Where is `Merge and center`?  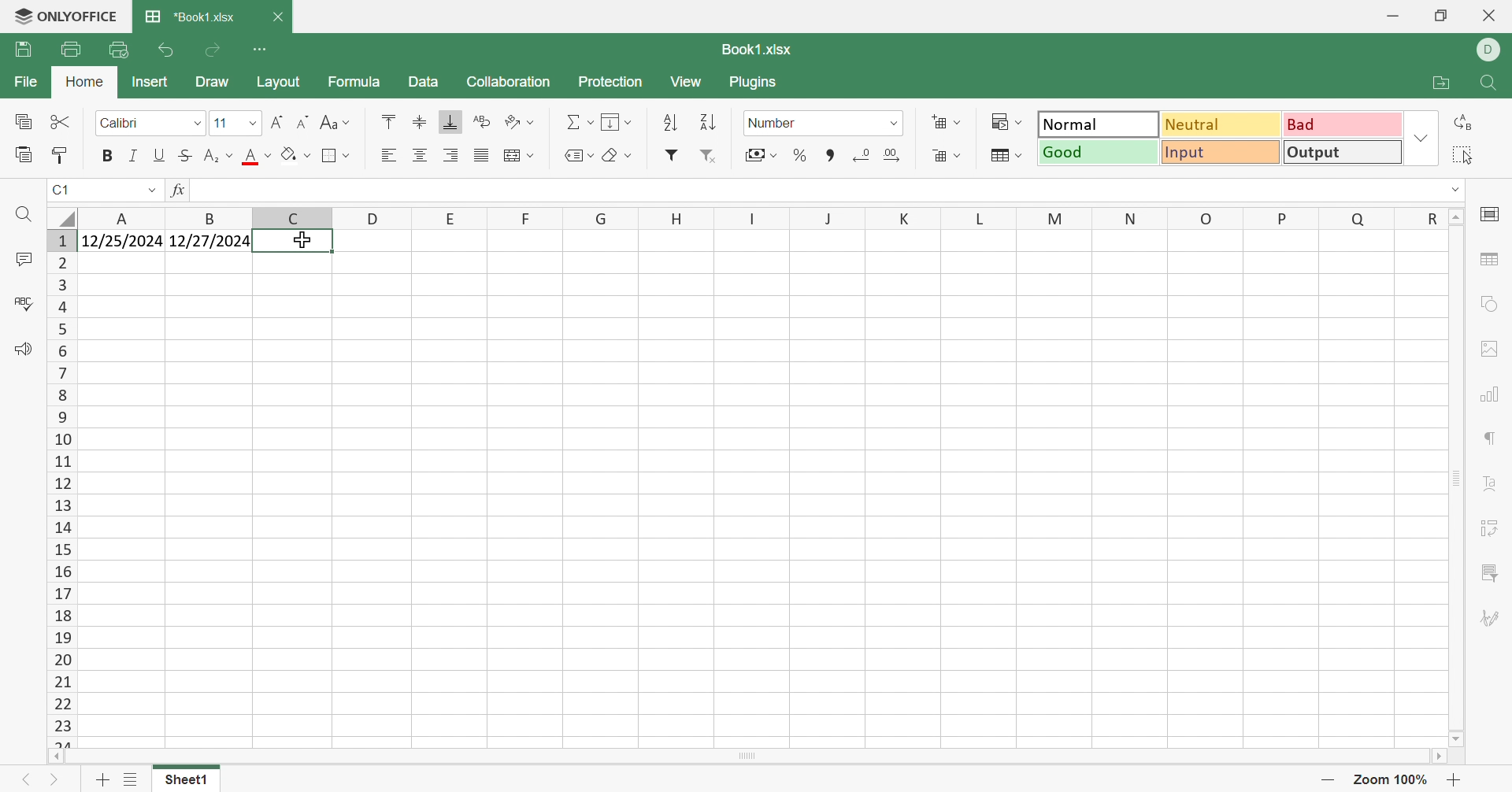 Merge and center is located at coordinates (521, 155).